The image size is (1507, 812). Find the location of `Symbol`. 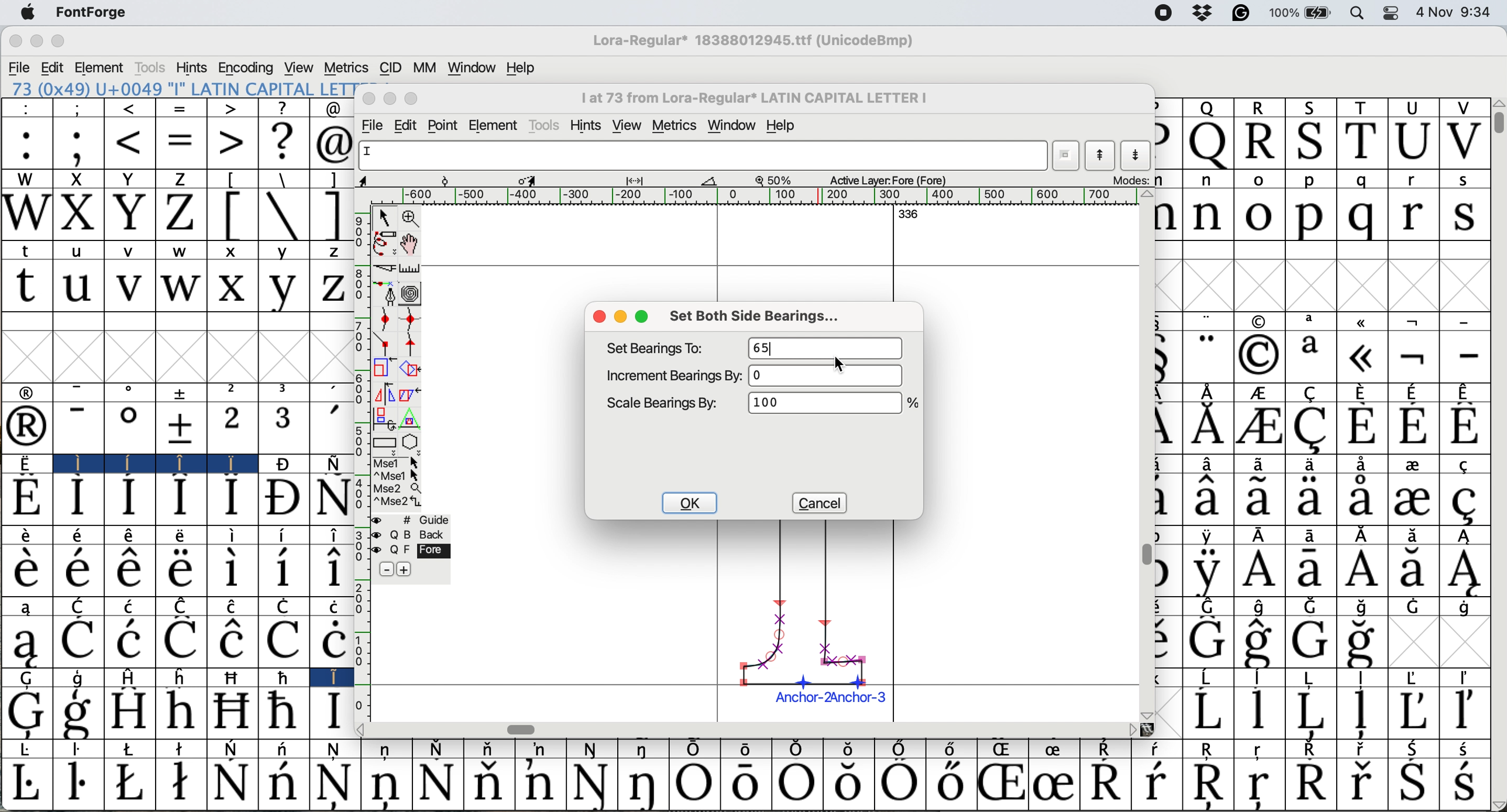

Symbol is located at coordinates (1157, 782).